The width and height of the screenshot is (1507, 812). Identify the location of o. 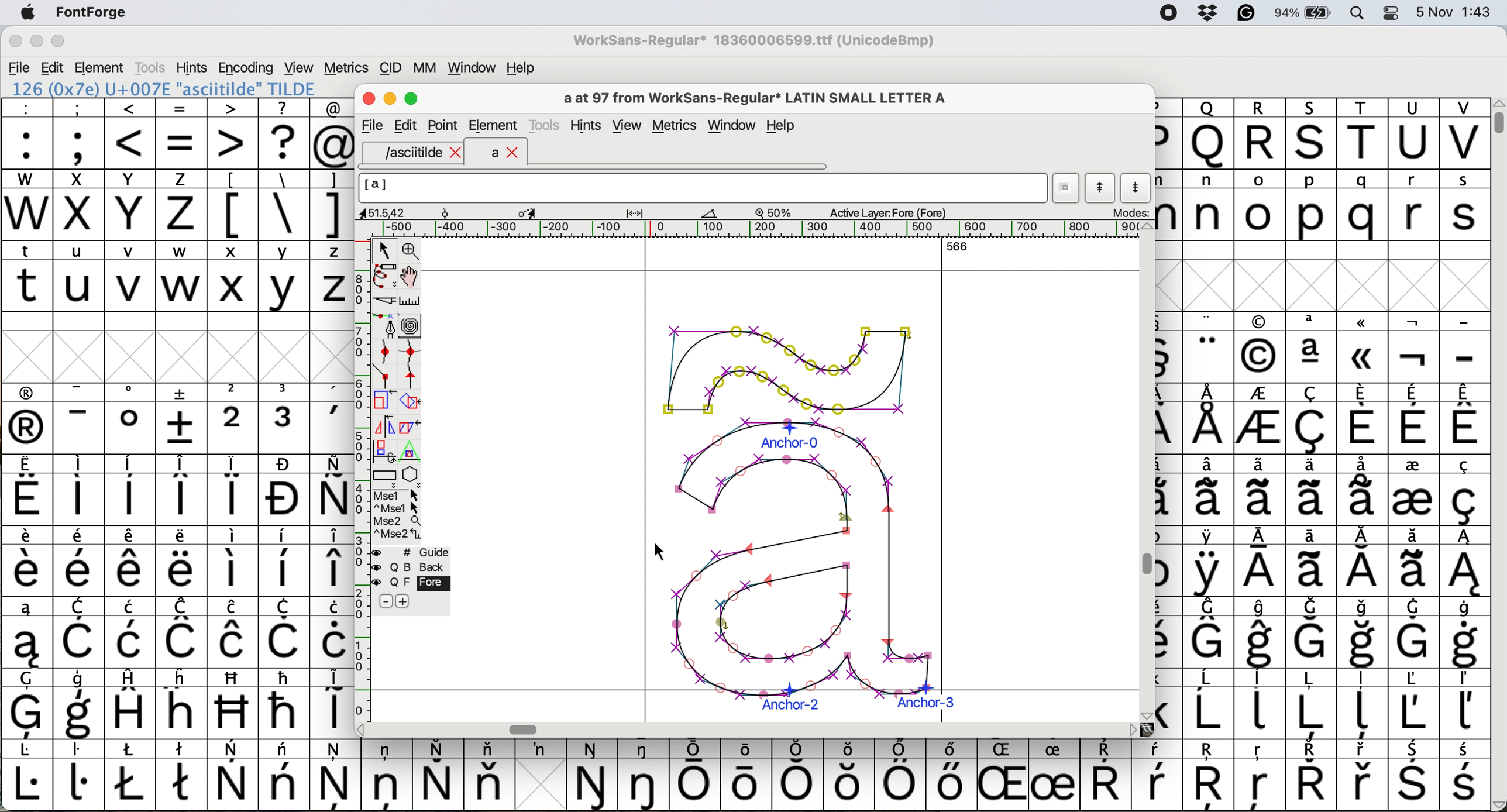
(1261, 207).